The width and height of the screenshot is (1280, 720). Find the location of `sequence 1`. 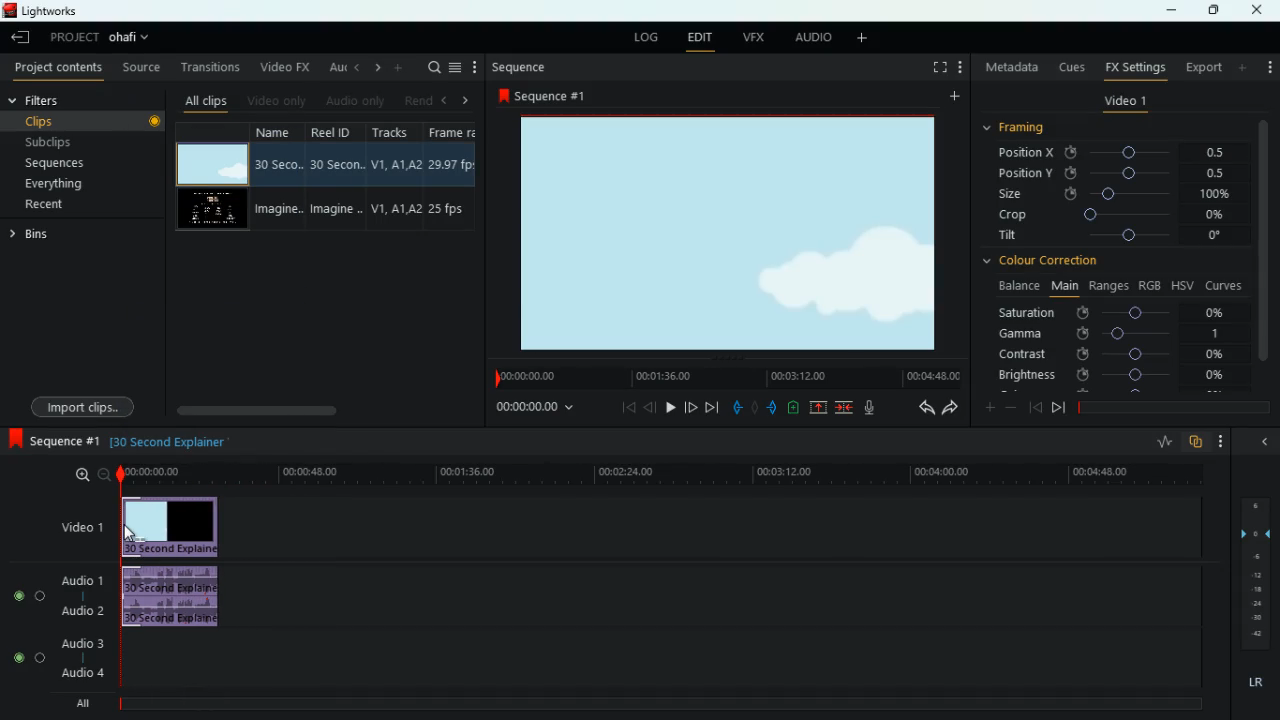

sequence 1 is located at coordinates (51, 439).